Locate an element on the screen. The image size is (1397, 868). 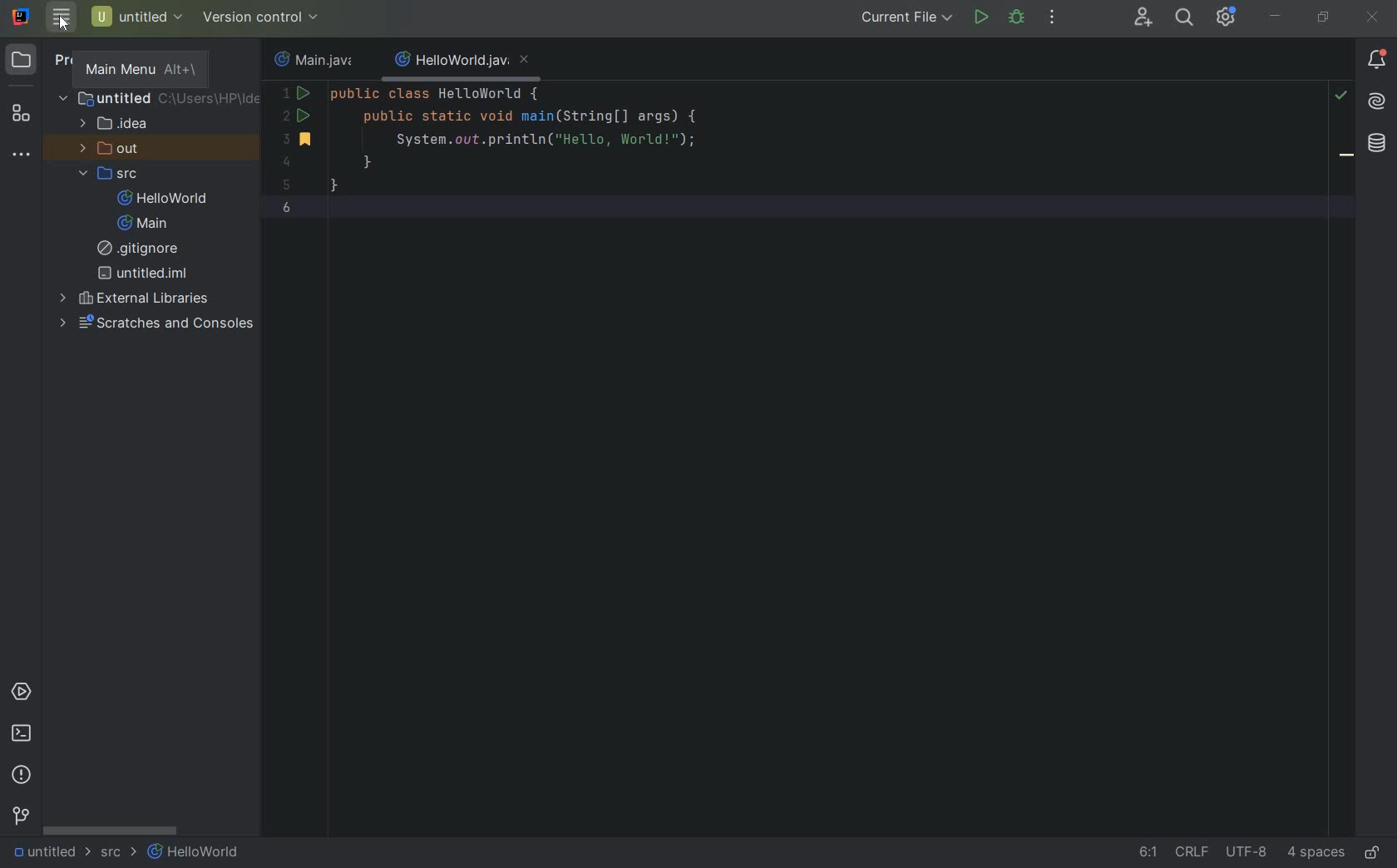
AI Assistant is located at coordinates (1378, 102).